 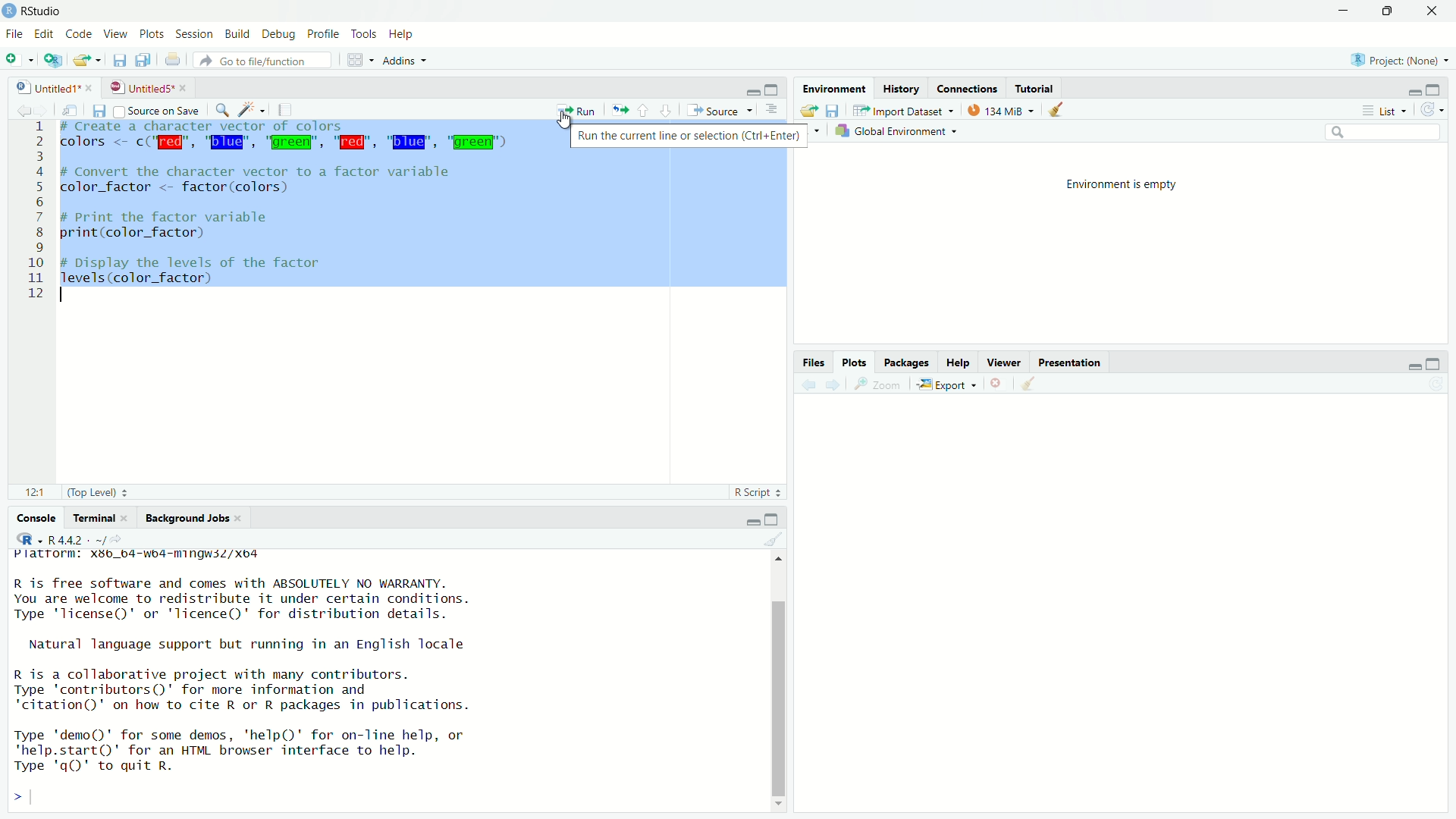 What do you see at coordinates (1131, 613) in the screenshot?
I see `empty plot area` at bounding box center [1131, 613].